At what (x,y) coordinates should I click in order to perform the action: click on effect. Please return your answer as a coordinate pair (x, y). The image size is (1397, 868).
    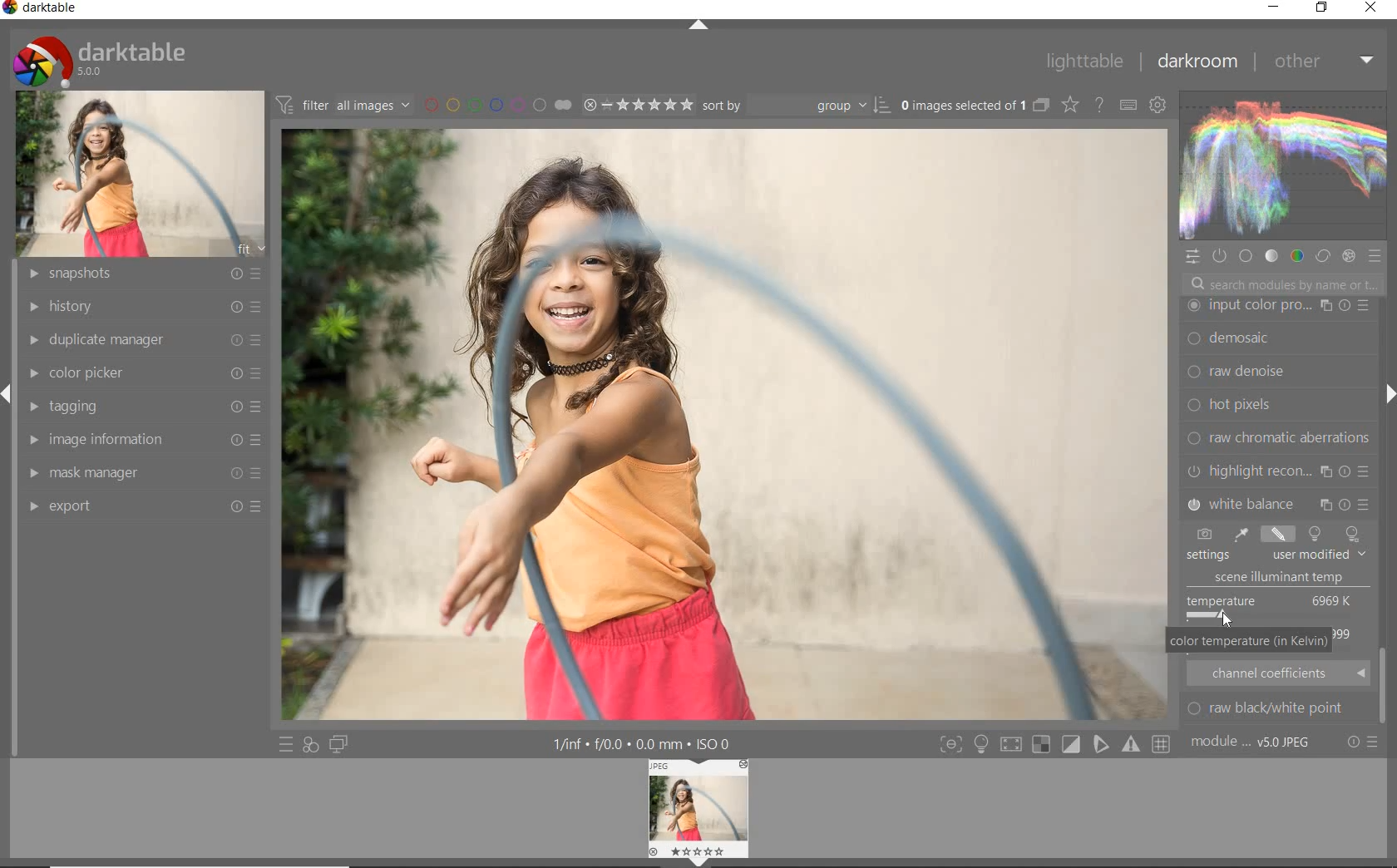
    Looking at the image, I should click on (1348, 255).